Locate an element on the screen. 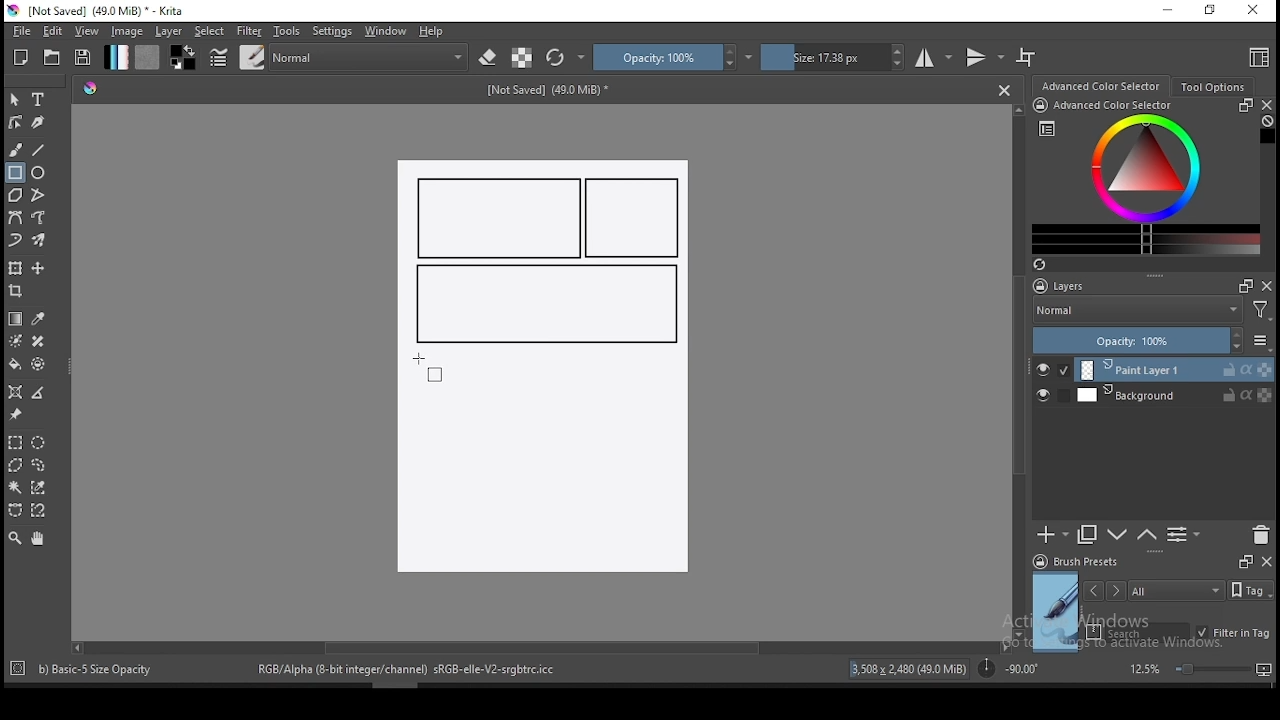 This screenshot has height=720, width=1280. reload original preset is located at coordinates (566, 57).